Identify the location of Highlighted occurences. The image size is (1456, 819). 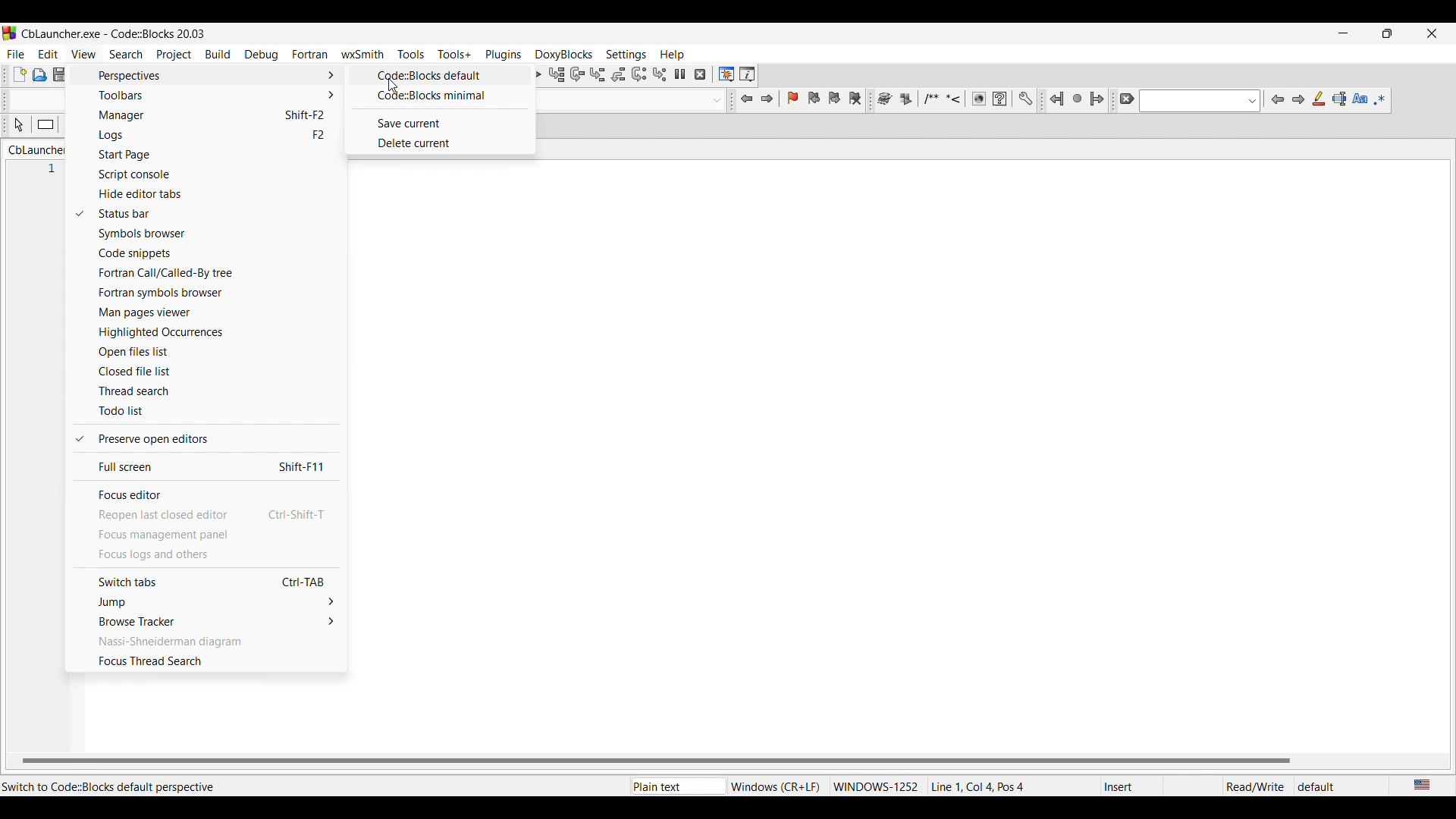
(216, 332).